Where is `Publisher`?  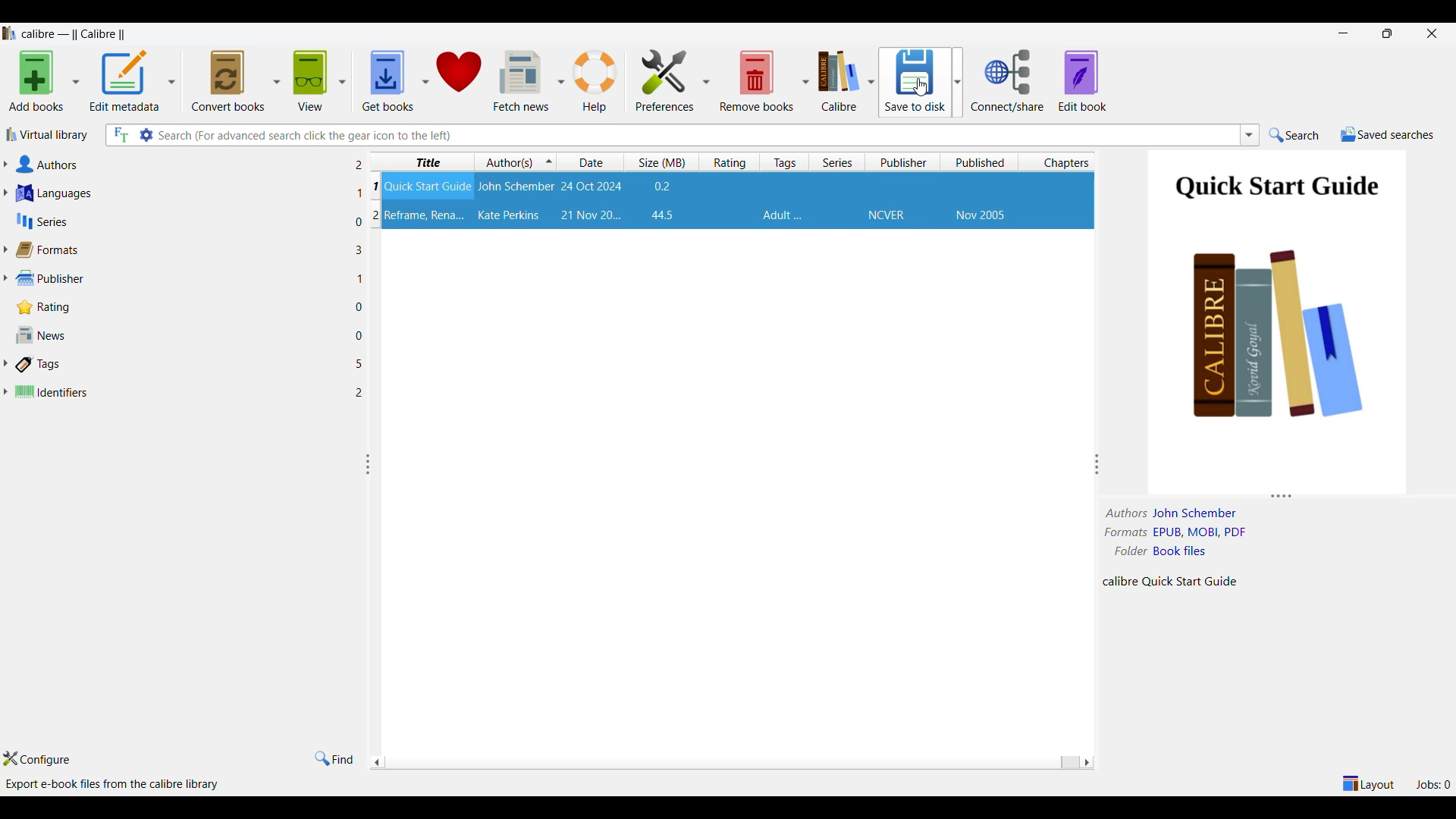 Publisher is located at coordinates (174, 277).